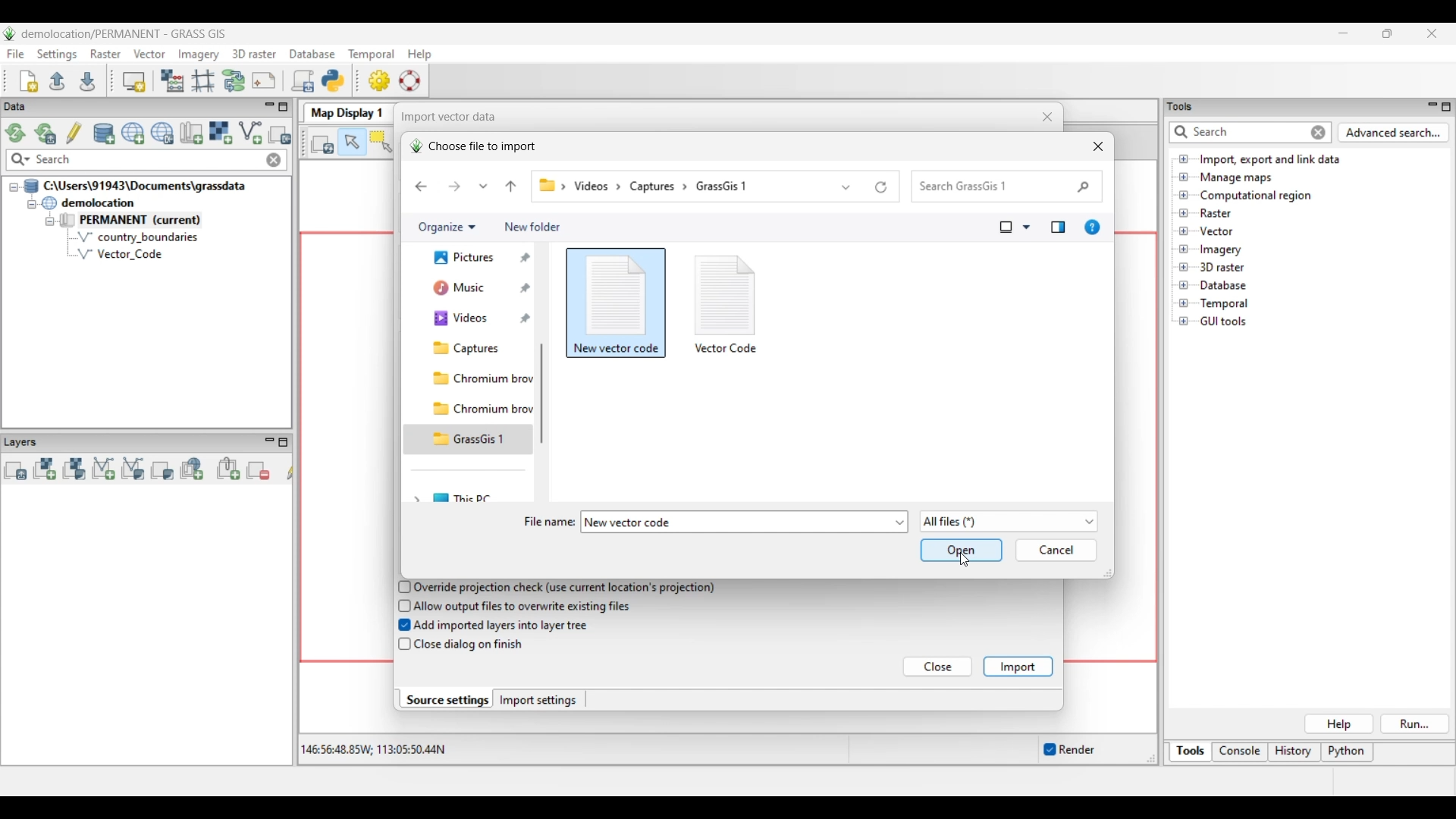 This screenshot has height=819, width=1456. I want to click on Maximize Data panel, so click(284, 107).